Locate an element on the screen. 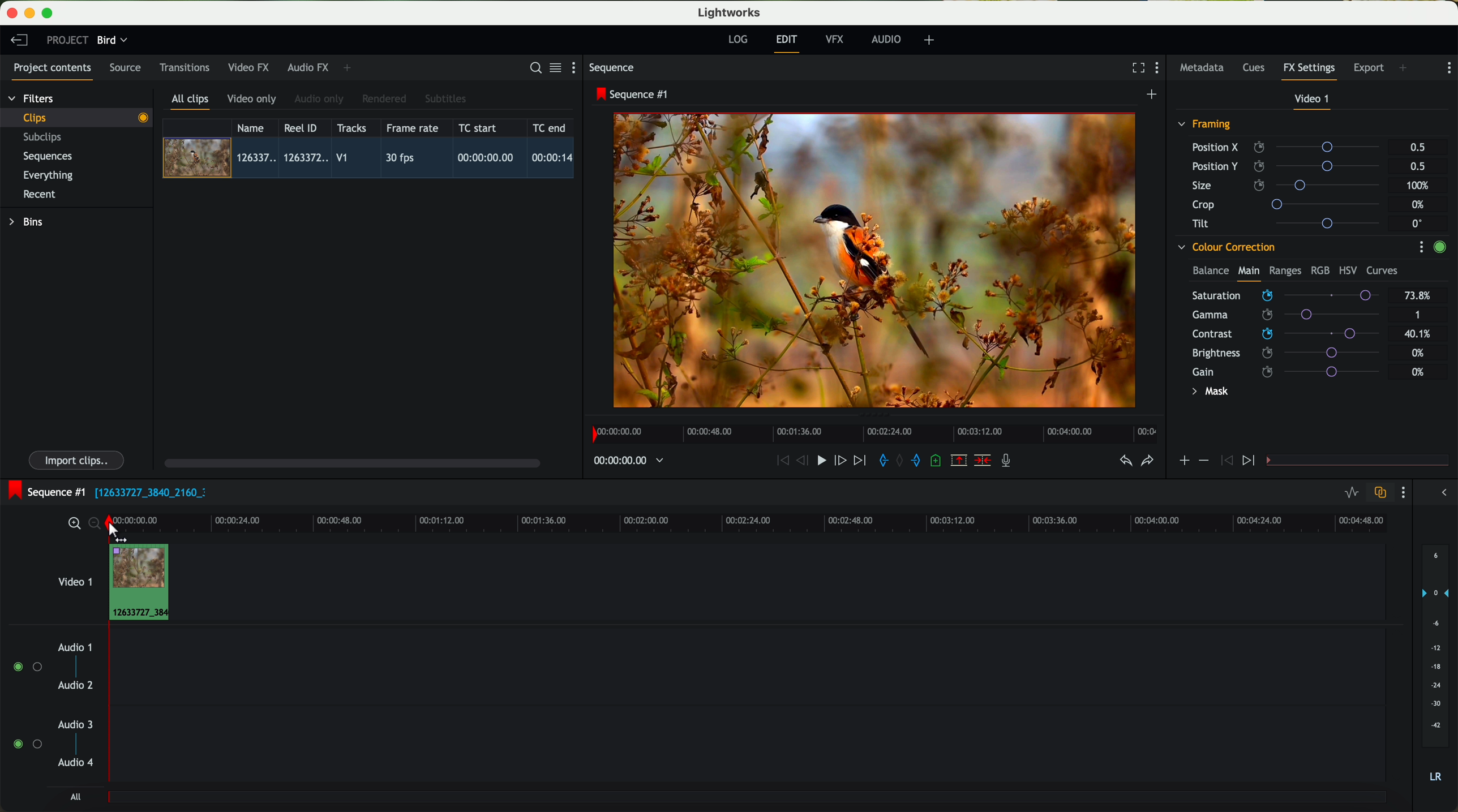  project is located at coordinates (67, 40).